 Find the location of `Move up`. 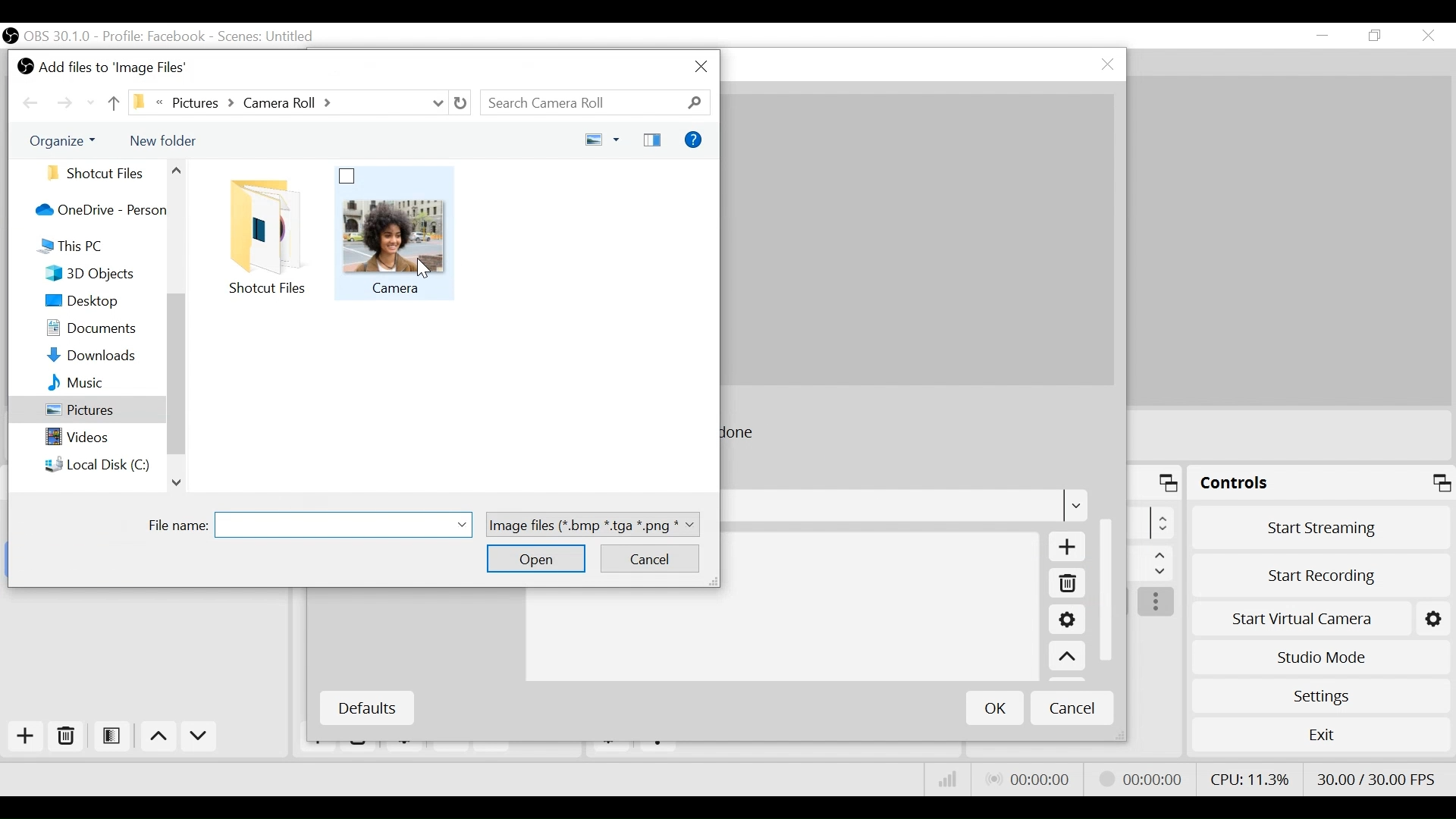

Move up is located at coordinates (161, 739).